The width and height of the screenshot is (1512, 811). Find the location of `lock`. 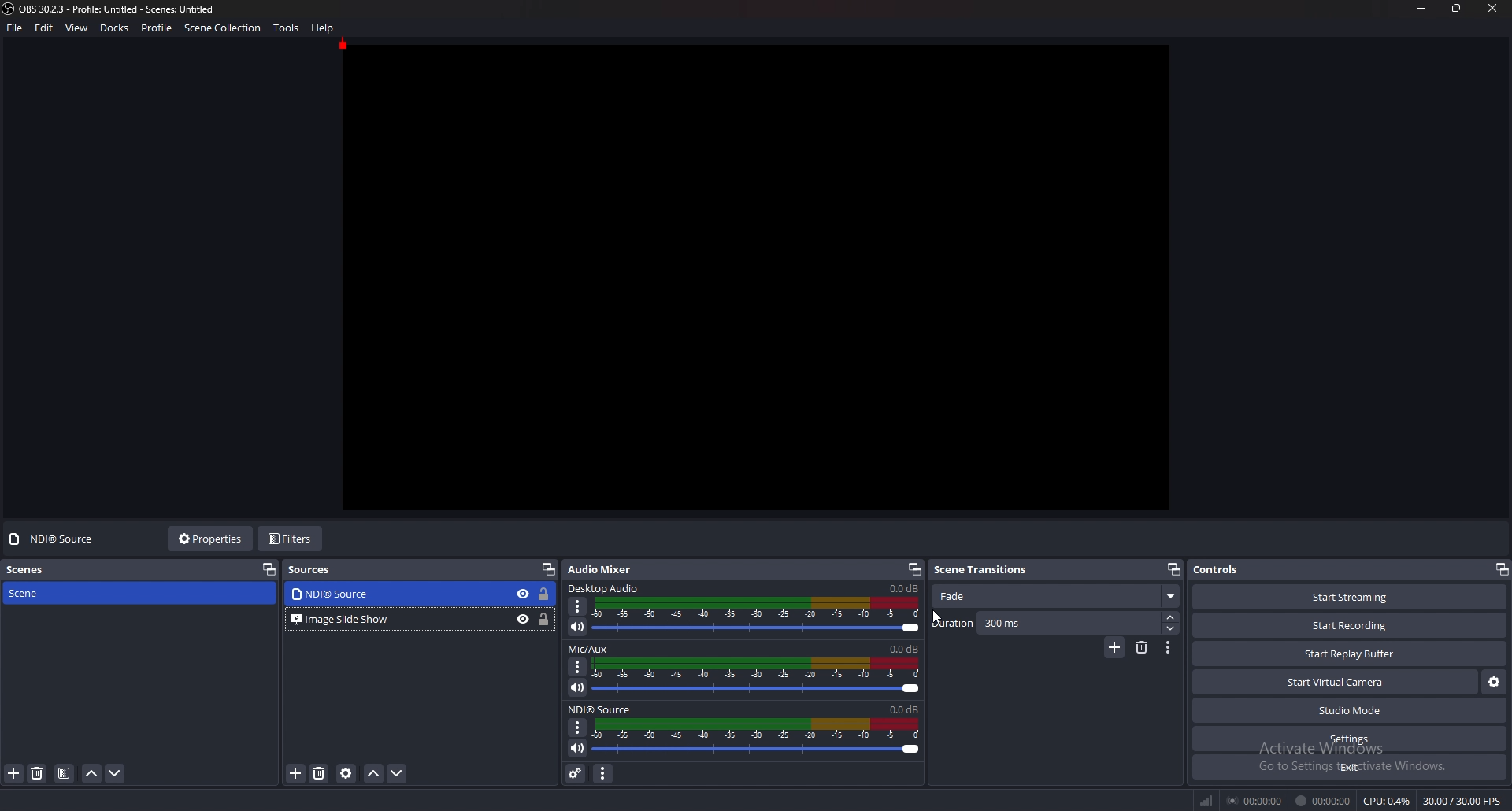

lock is located at coordinates (545, 595).